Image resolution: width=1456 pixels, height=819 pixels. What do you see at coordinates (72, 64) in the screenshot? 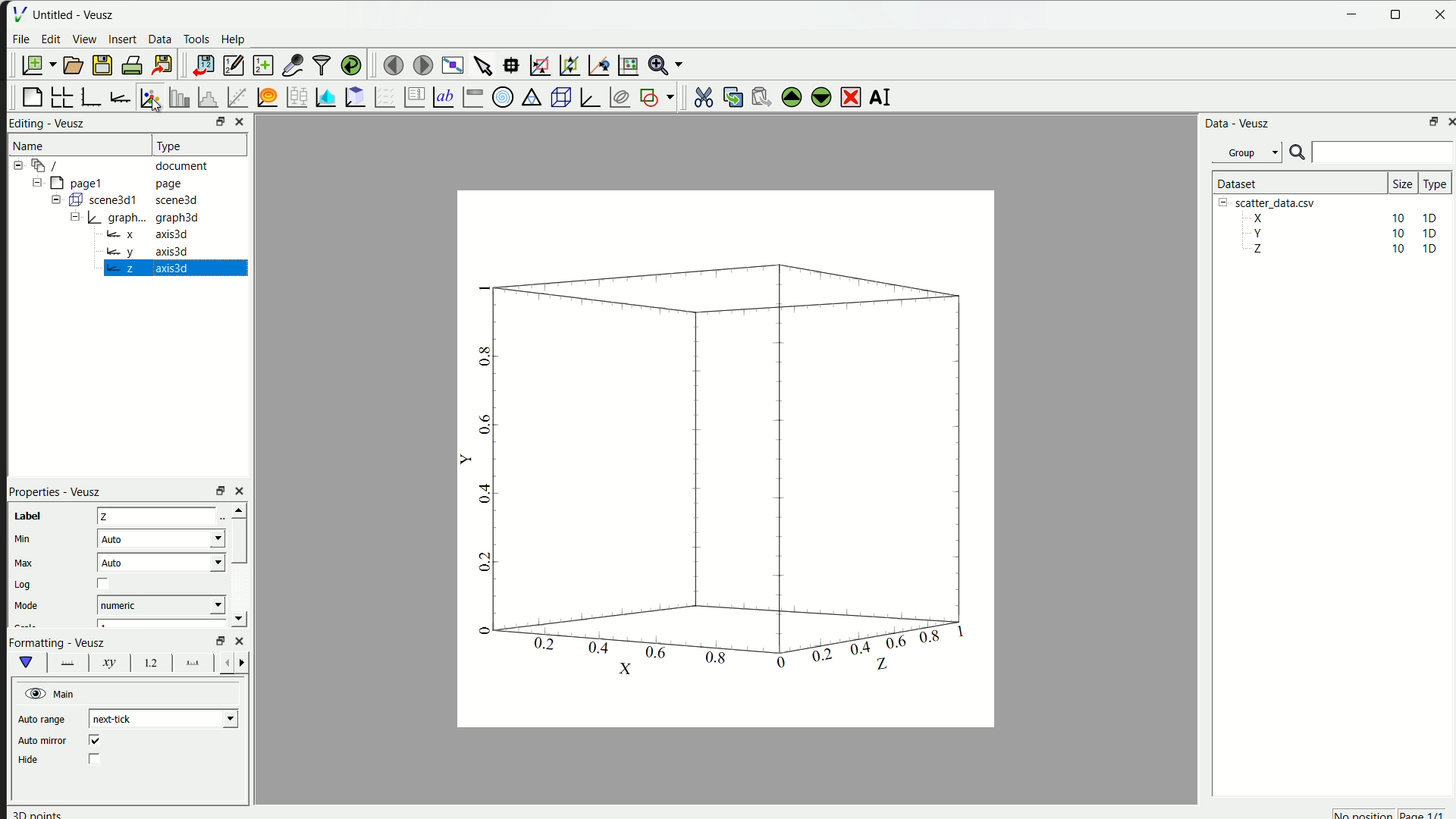
I see `open a document` at bounding box center [72, 64].